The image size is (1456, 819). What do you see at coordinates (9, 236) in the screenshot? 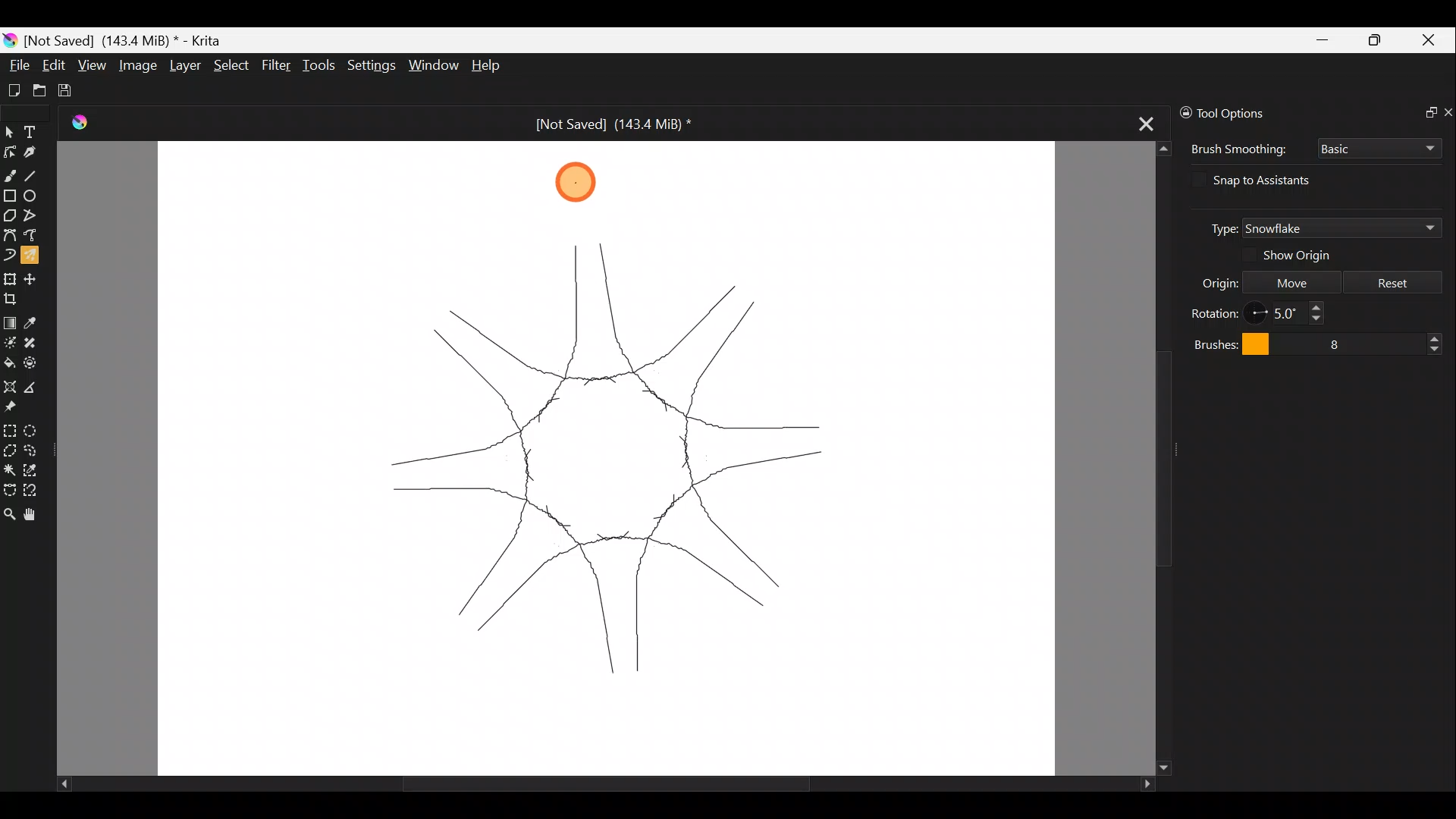
I see `Bezier curve tool` at bounding box center [9, 236].